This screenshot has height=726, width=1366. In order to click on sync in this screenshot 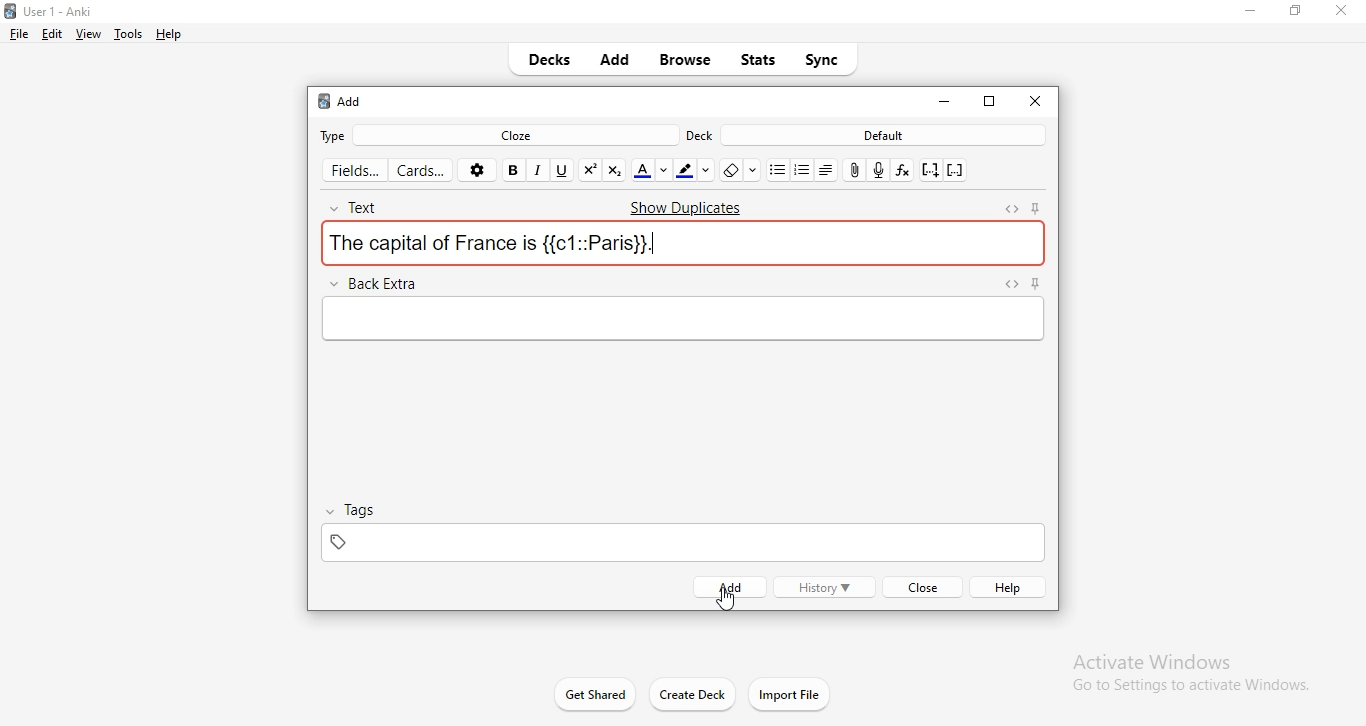, I will do `click(823, 58)`.